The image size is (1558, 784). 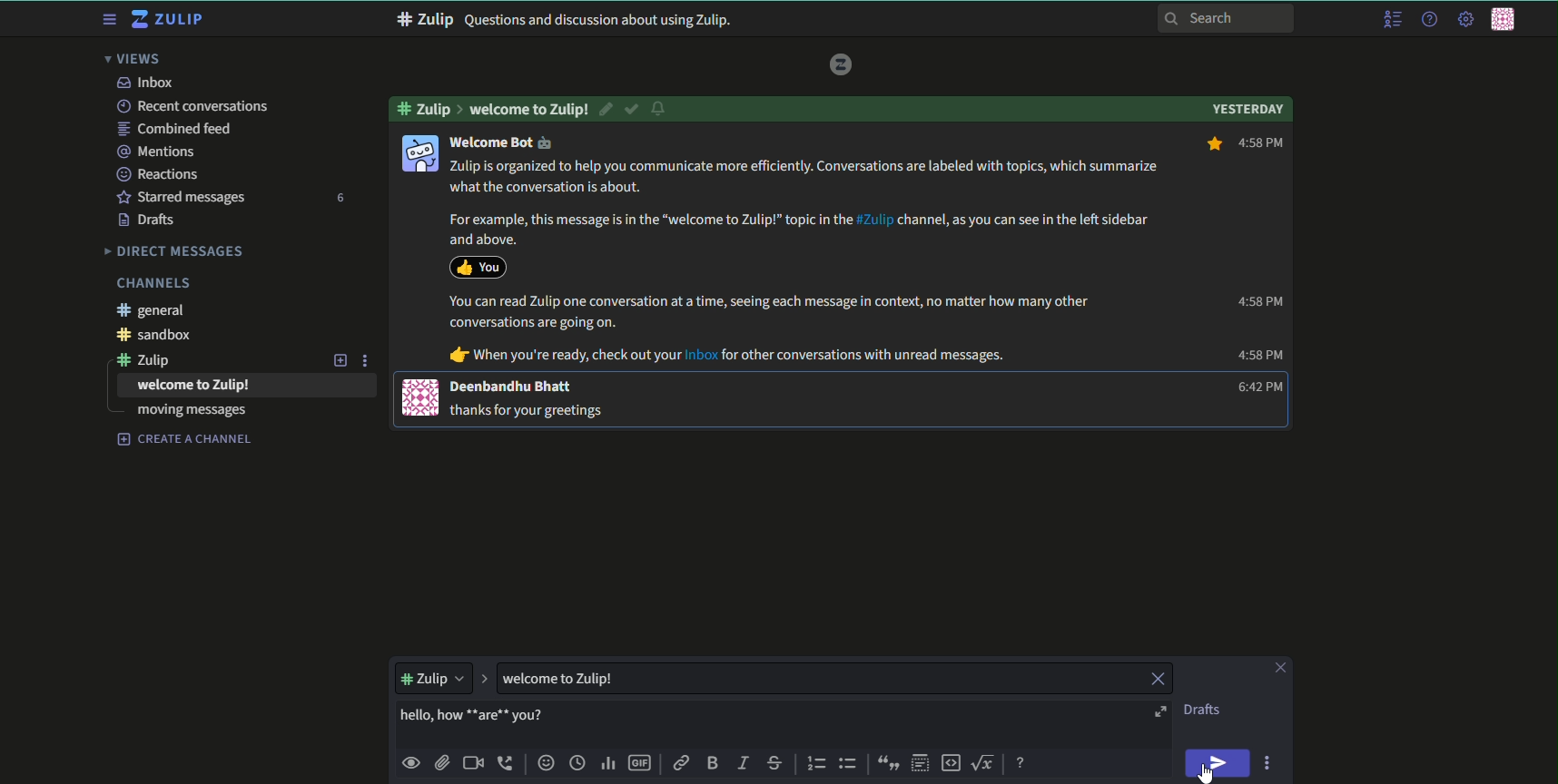 I want to click on Deenbandhu Bhatt, so click(x=513, y=386).